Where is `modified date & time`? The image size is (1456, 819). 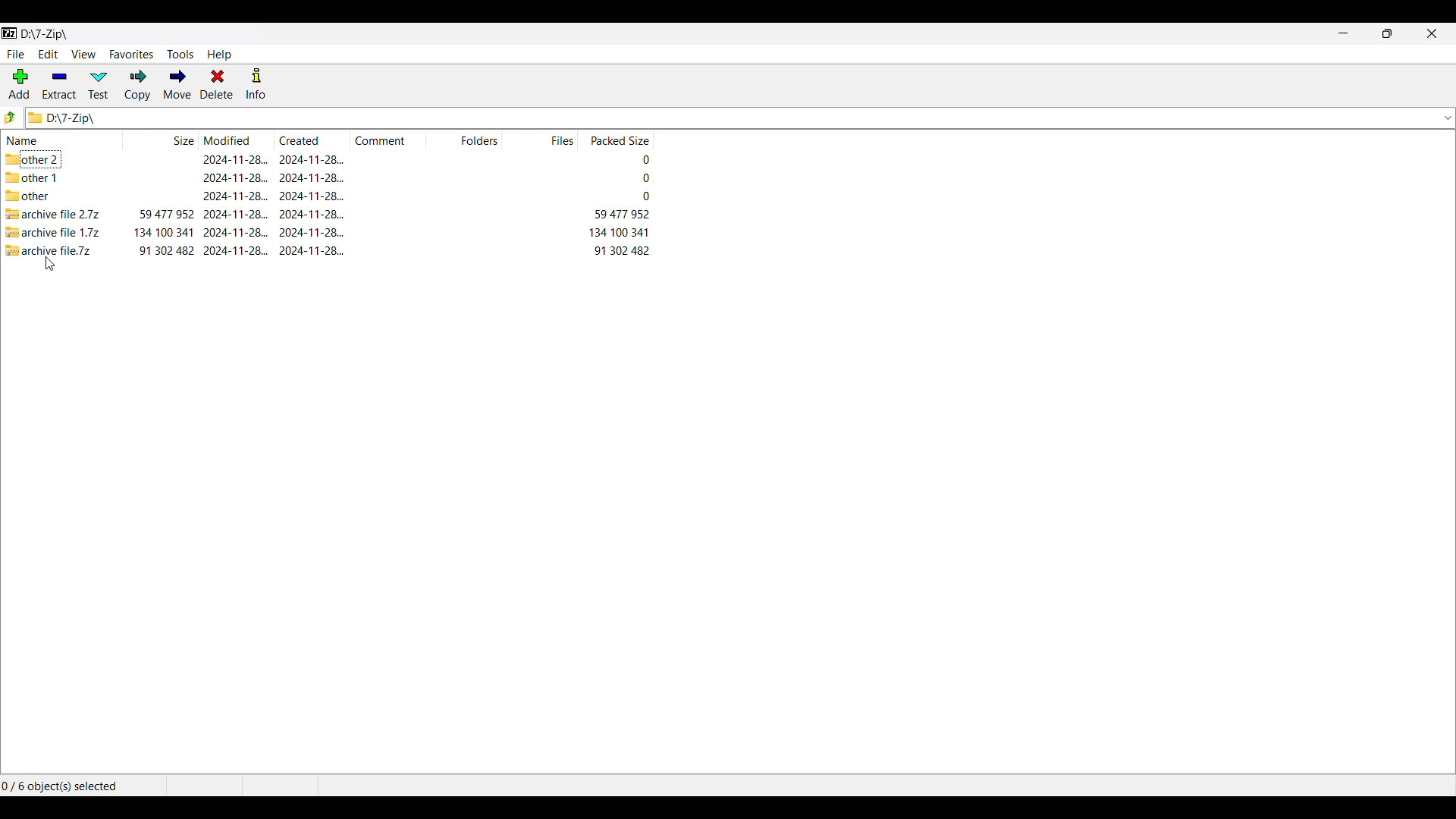
modified date & time is located at coordinates (237, 251).